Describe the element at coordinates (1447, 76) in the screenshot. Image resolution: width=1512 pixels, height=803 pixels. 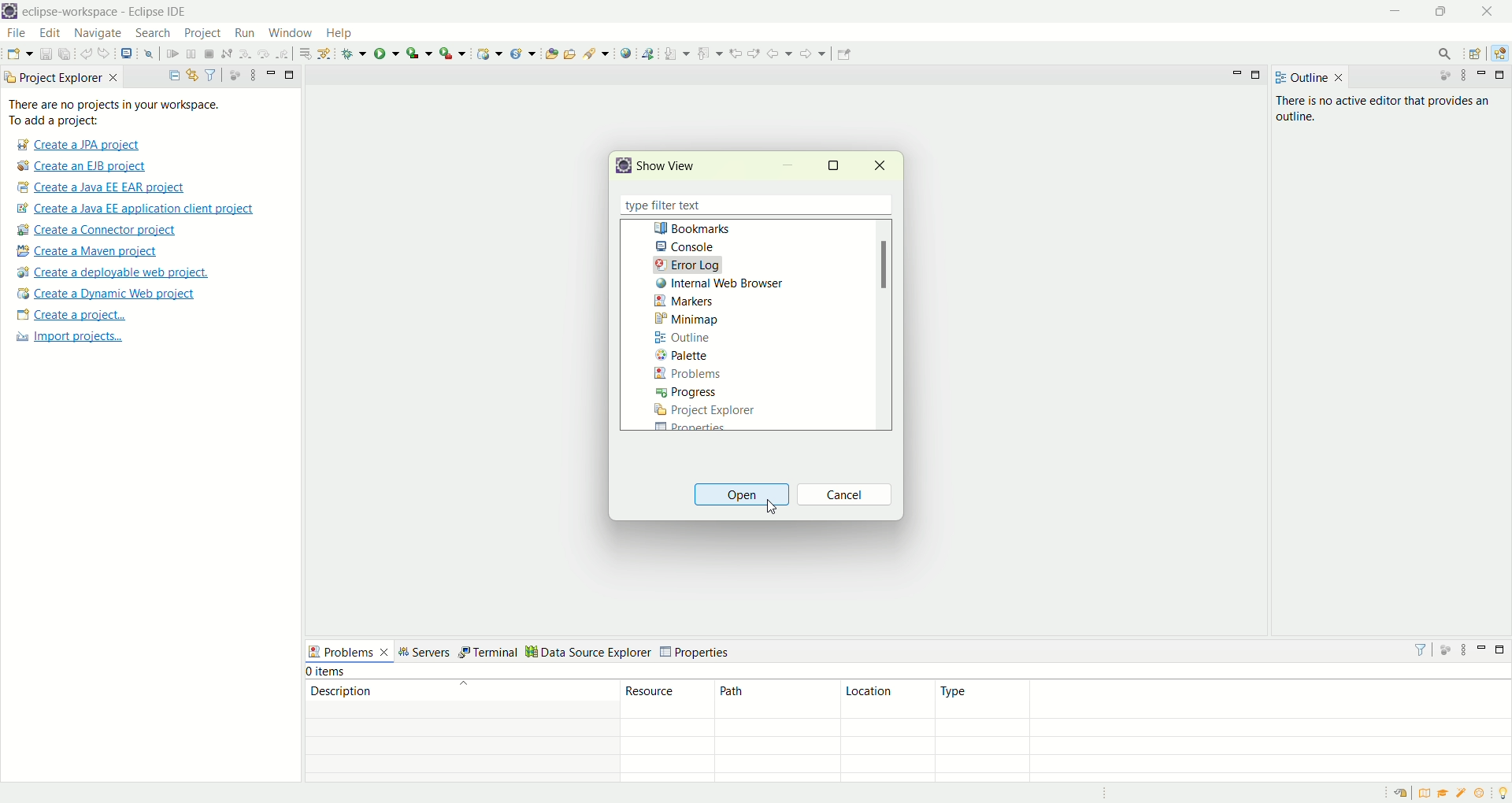
I see `focus on active task` at that location.